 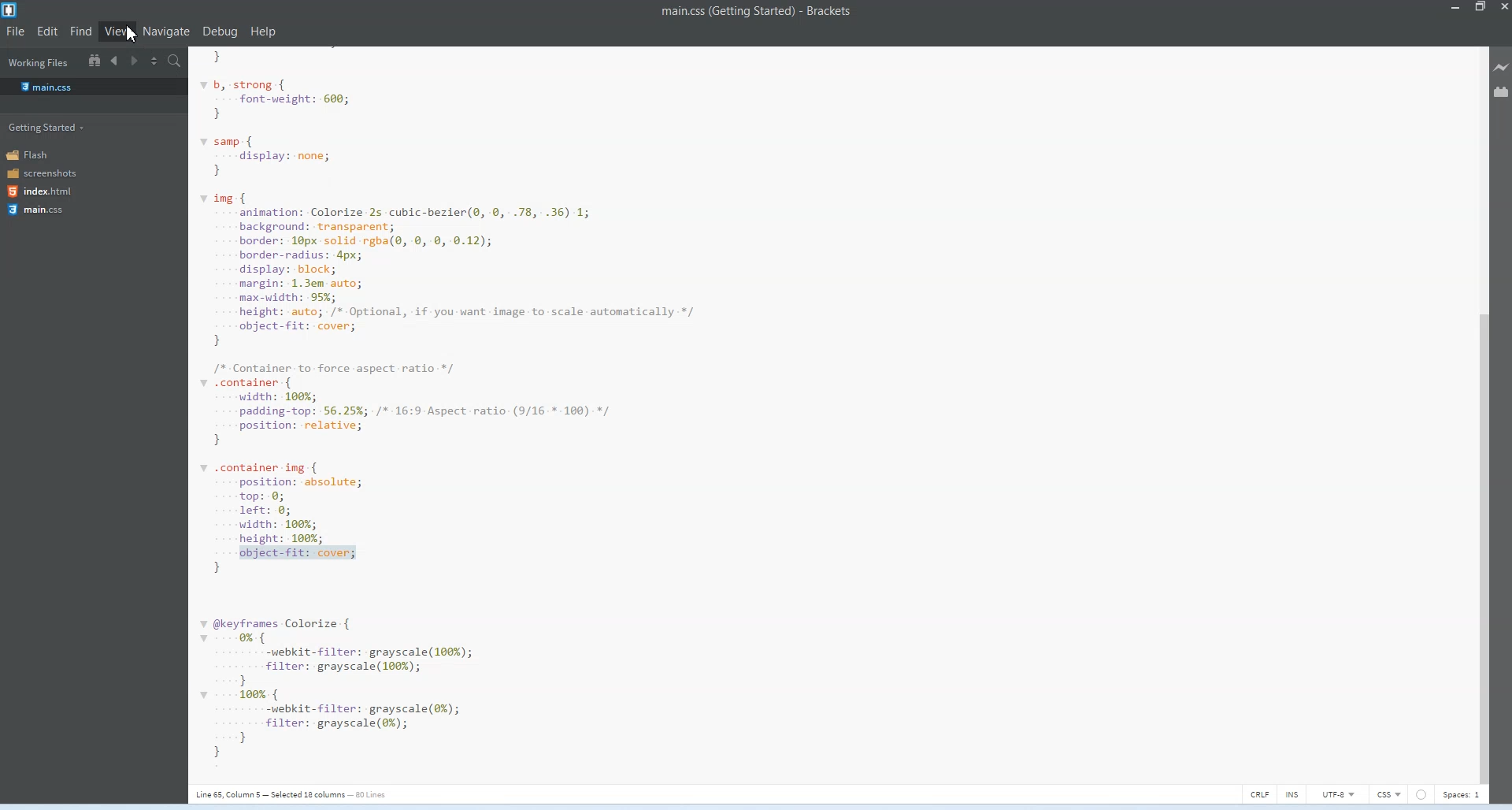 I want to click on Find in Files, so click(x=174, y=61).